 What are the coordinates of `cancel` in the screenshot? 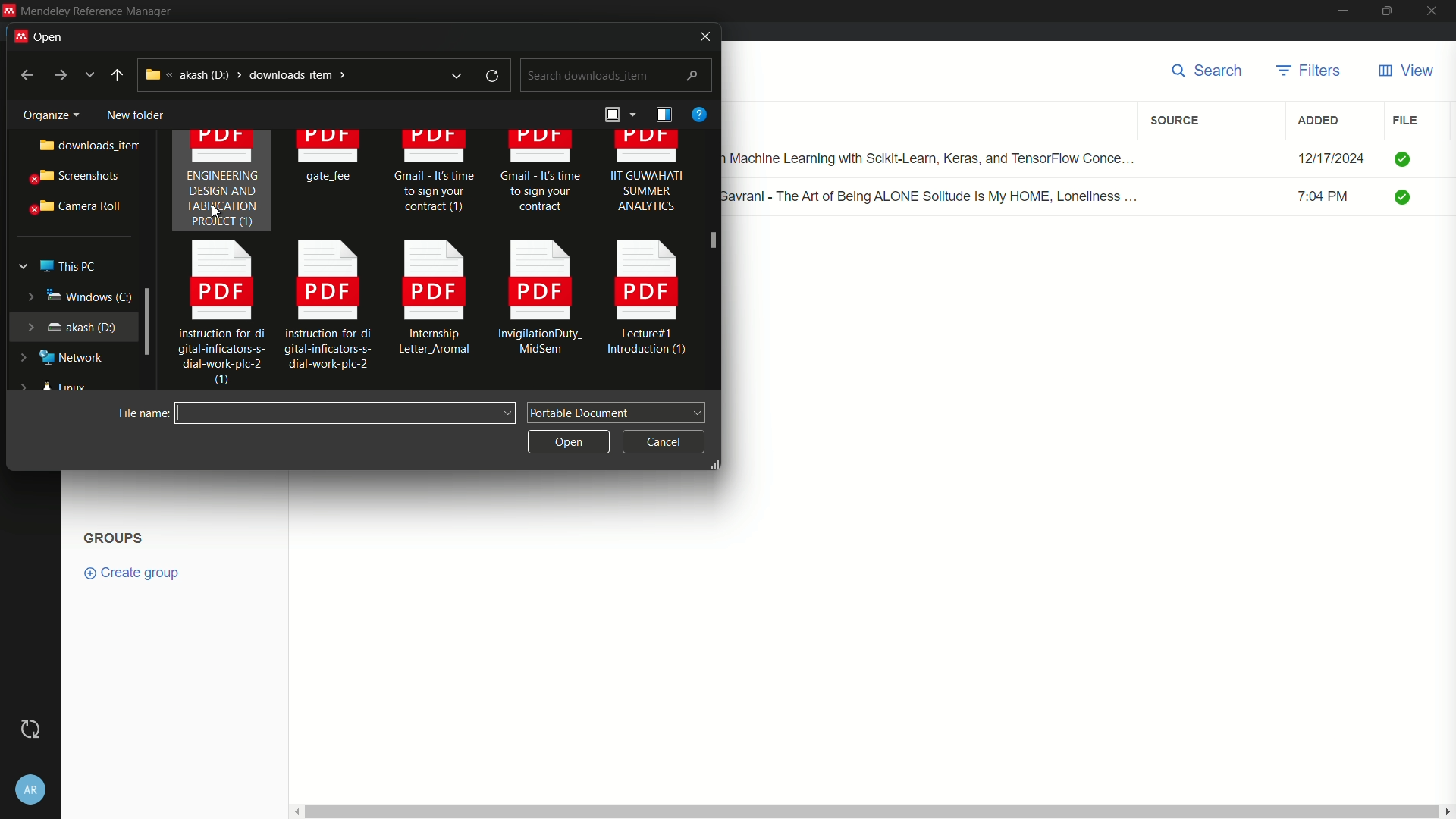 It's located at (664, 439).